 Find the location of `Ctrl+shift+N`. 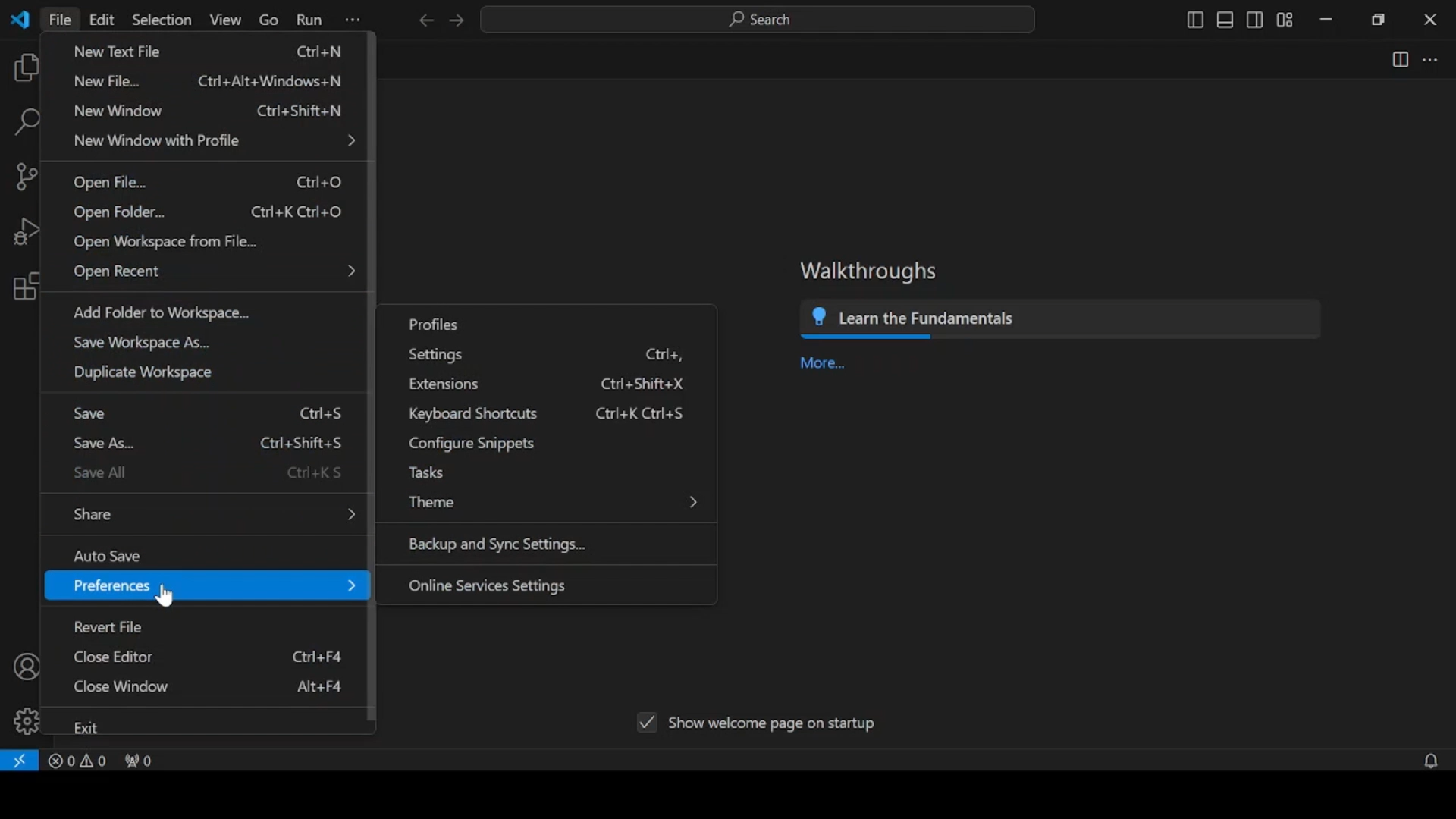

Ctrl+shift+N is located at coordinates (301, 111).